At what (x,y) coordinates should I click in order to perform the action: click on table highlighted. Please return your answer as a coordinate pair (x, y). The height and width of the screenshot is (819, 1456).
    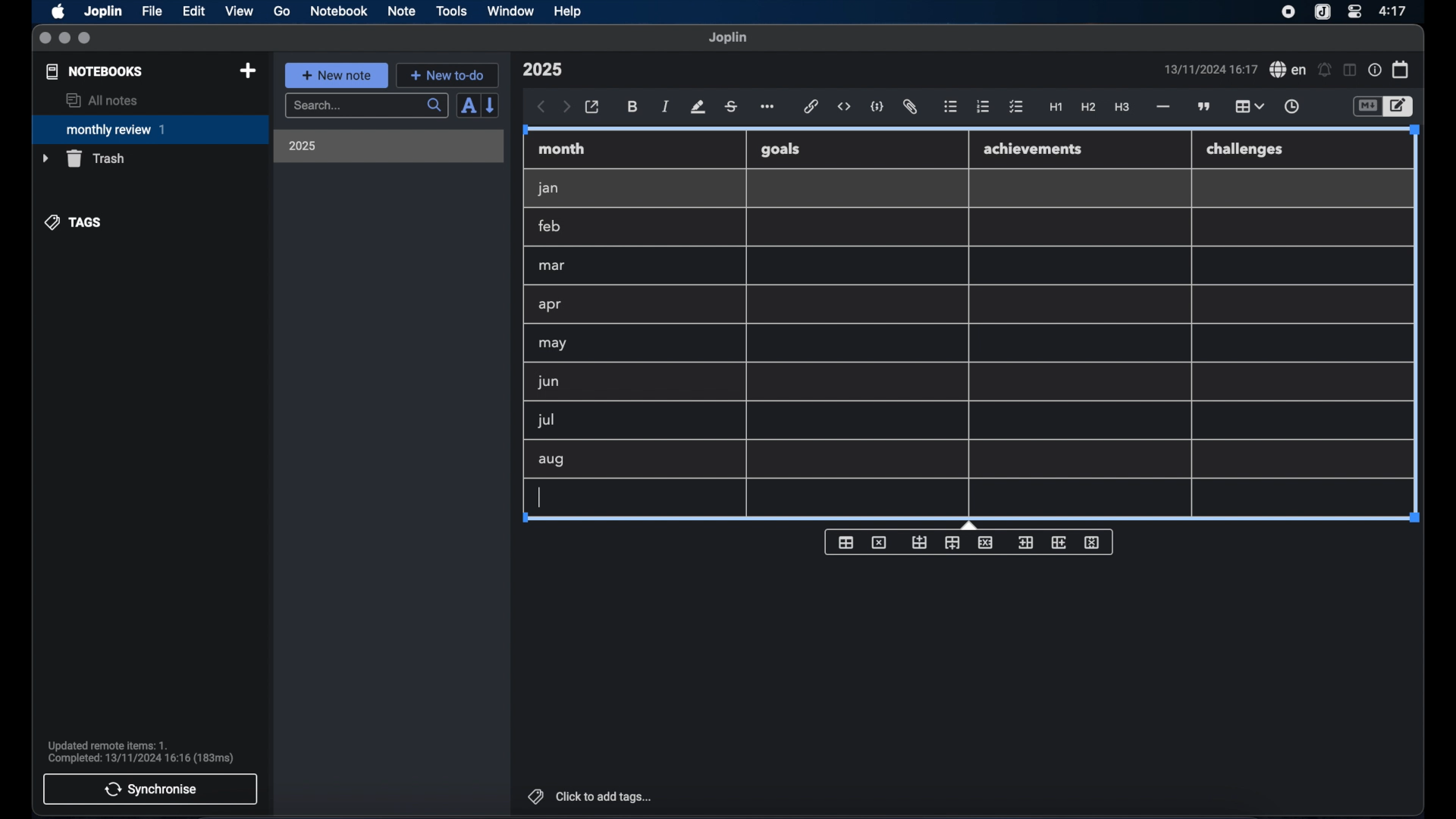
    Looking at the image, I should click on (1247, 106).